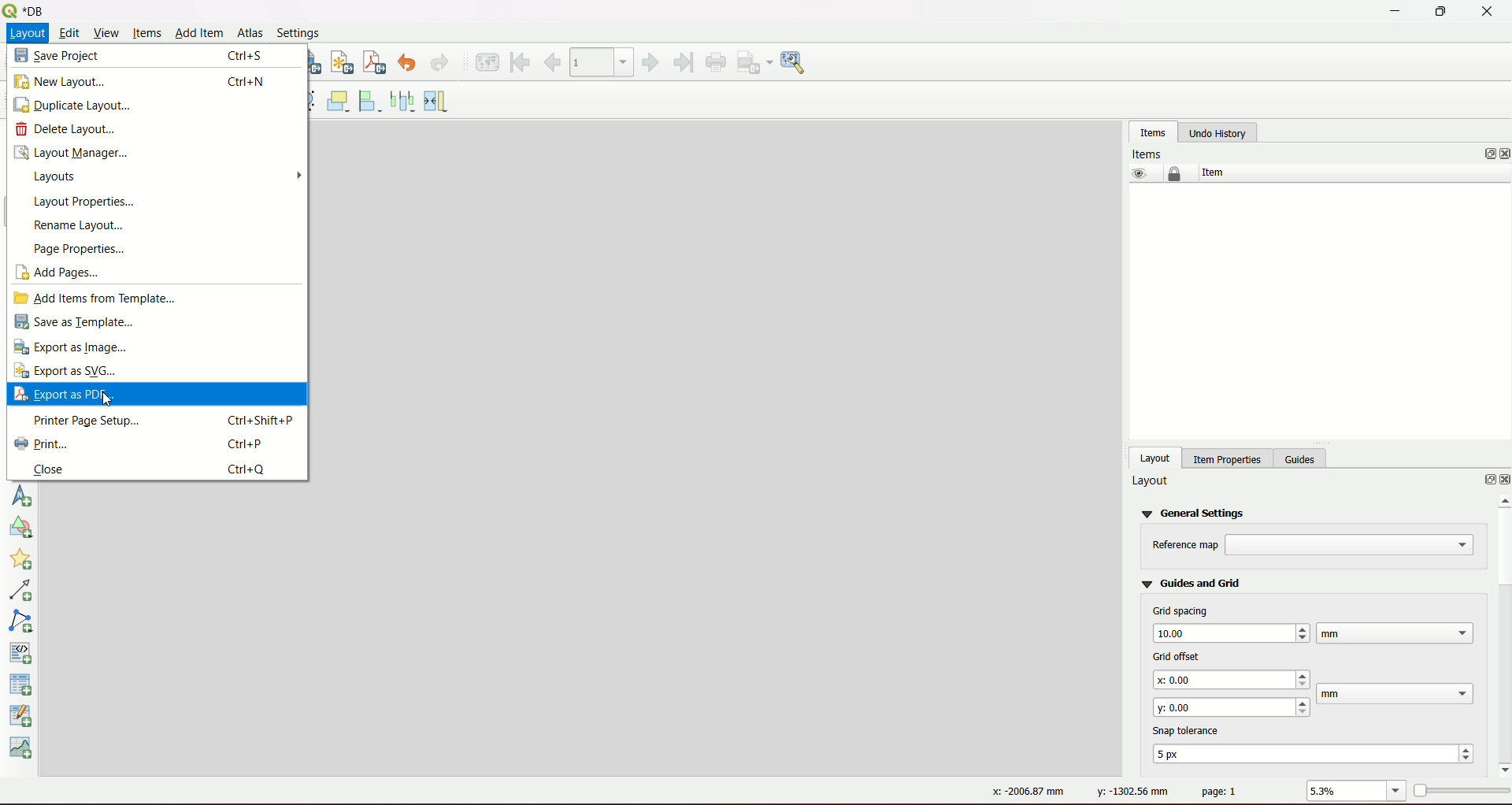 Image resolution: width=1512 pixels, height=805 pixels. Describe the element at coordinates (249, 32) in the screenshot. I see `Atlas` at that location.